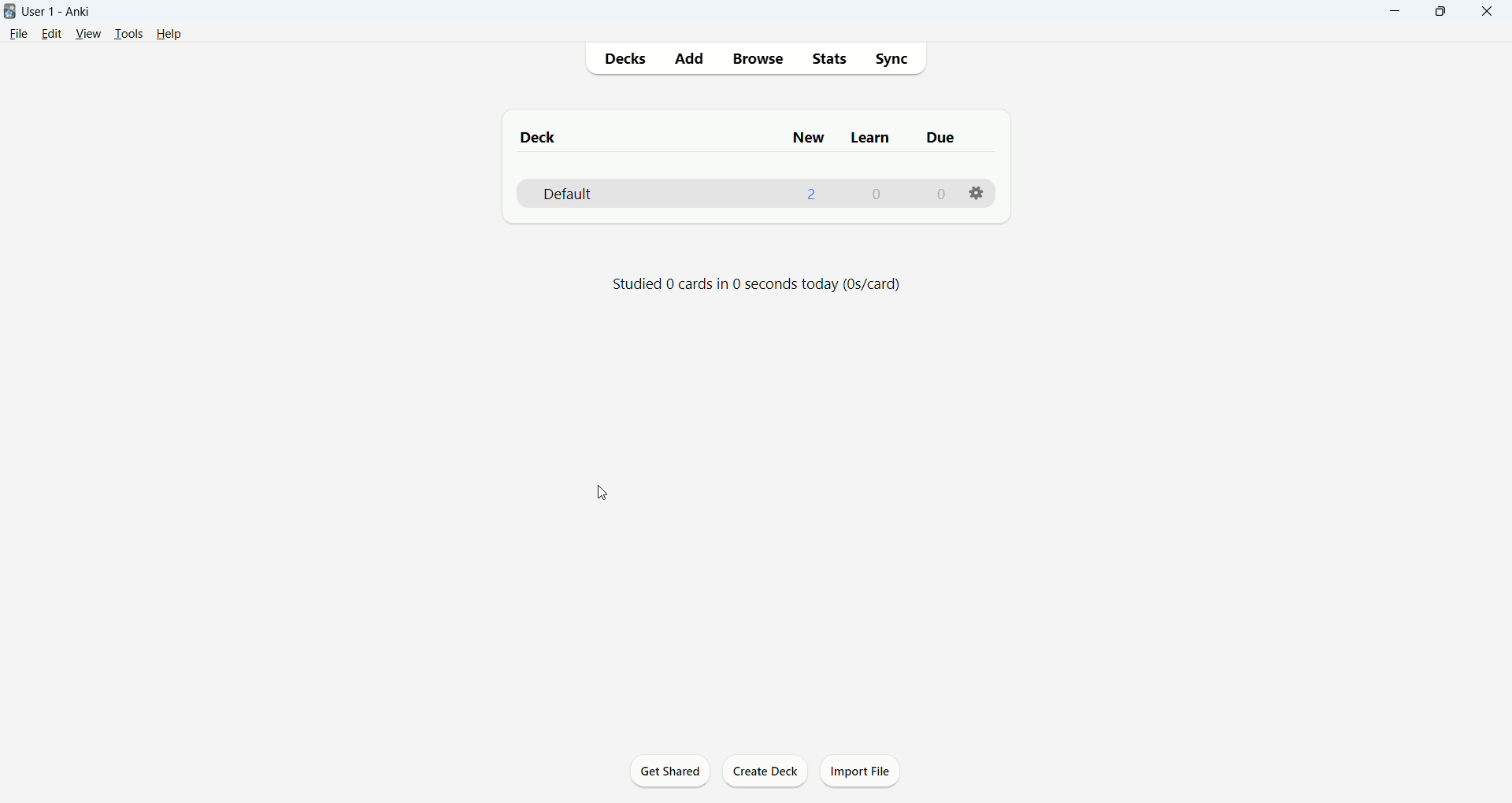 The image size is (1512, 803). Describe the element at coordinates (169, 35) in the screenshot. I see `help` at that location.